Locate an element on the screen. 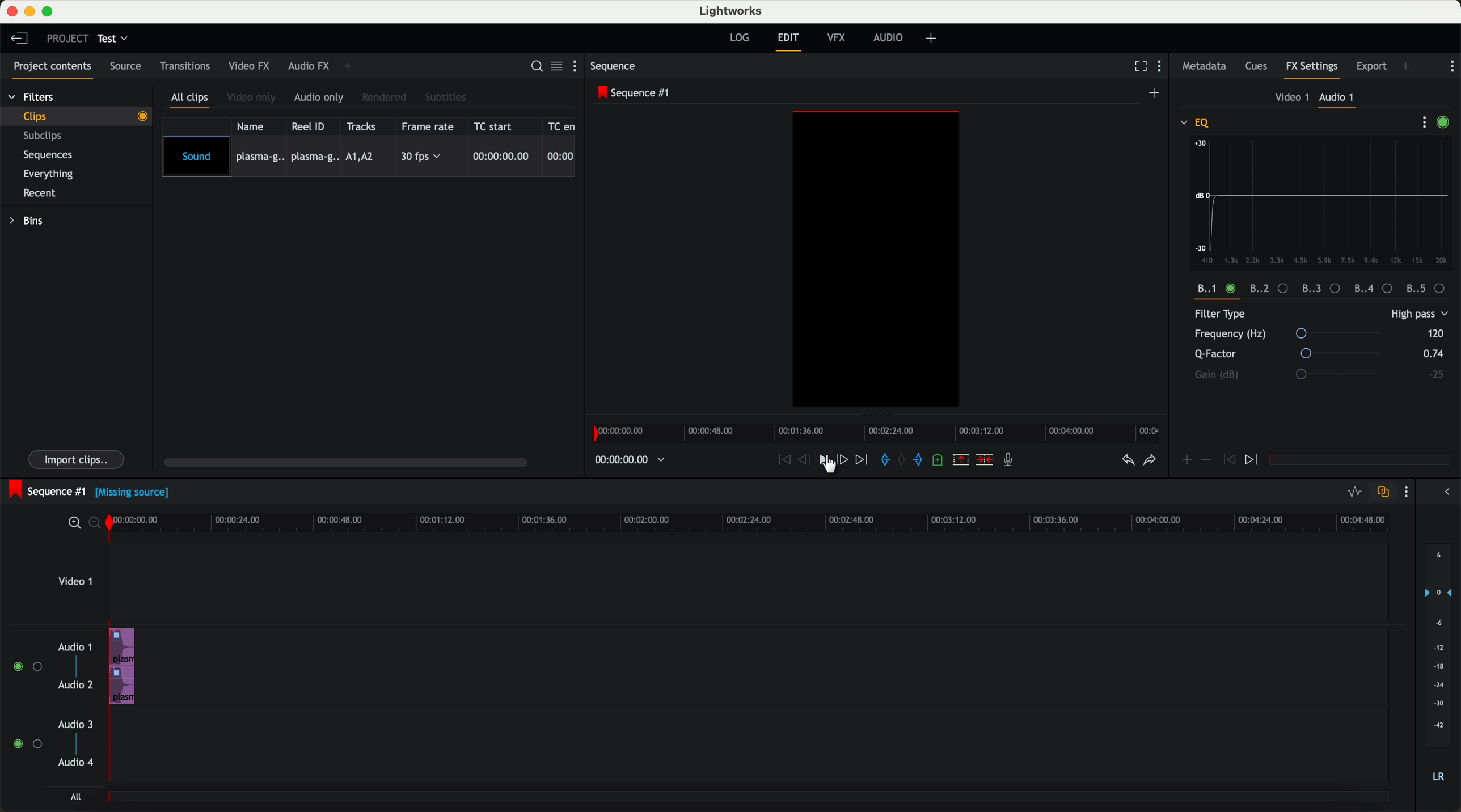  cursor is located at coordinates (830, 472).